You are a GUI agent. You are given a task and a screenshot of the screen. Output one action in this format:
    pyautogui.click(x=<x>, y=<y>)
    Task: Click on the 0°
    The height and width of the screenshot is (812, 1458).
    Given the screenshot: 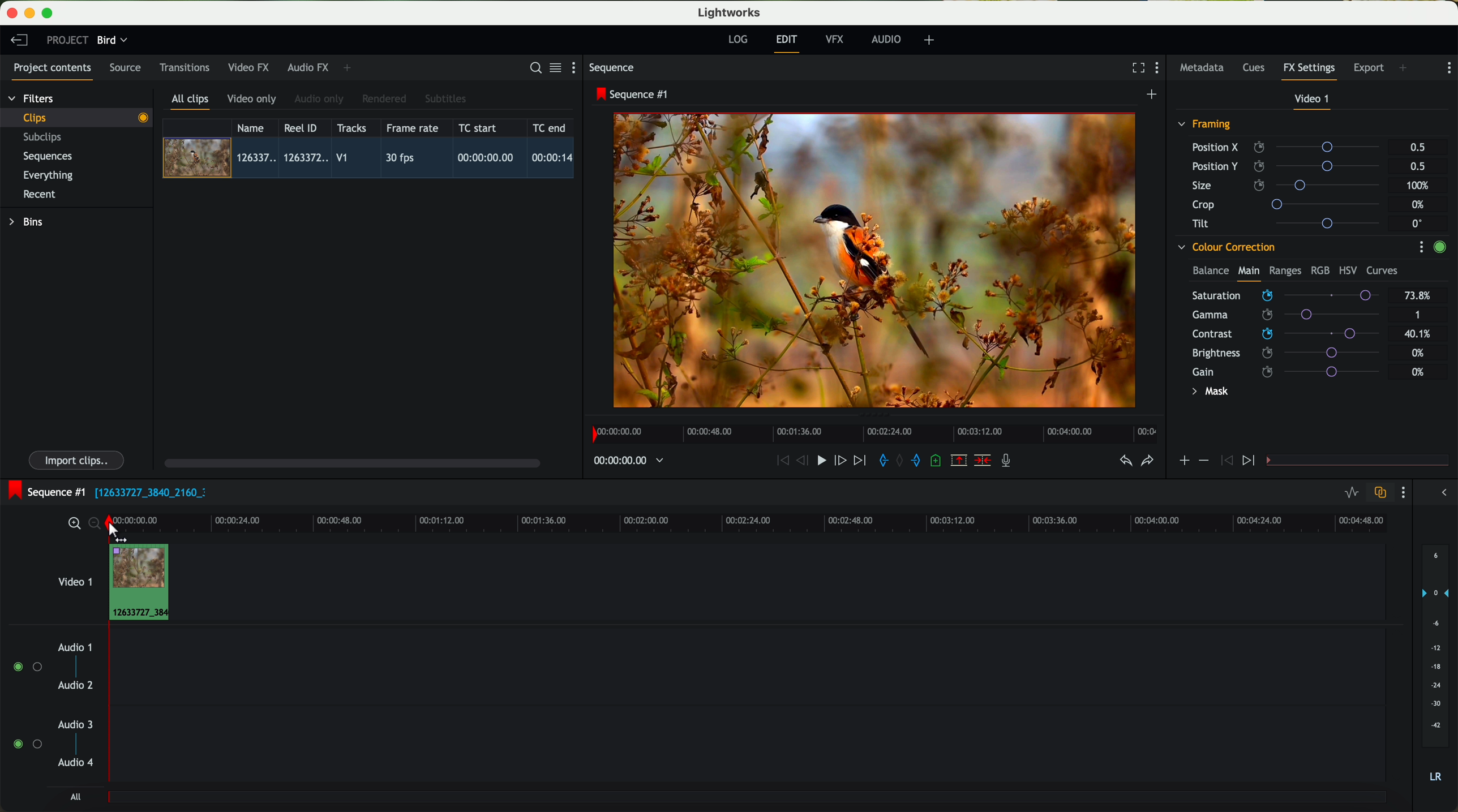 What is the action you would take?
    pyautogui.click(x=1418, y=223)
    